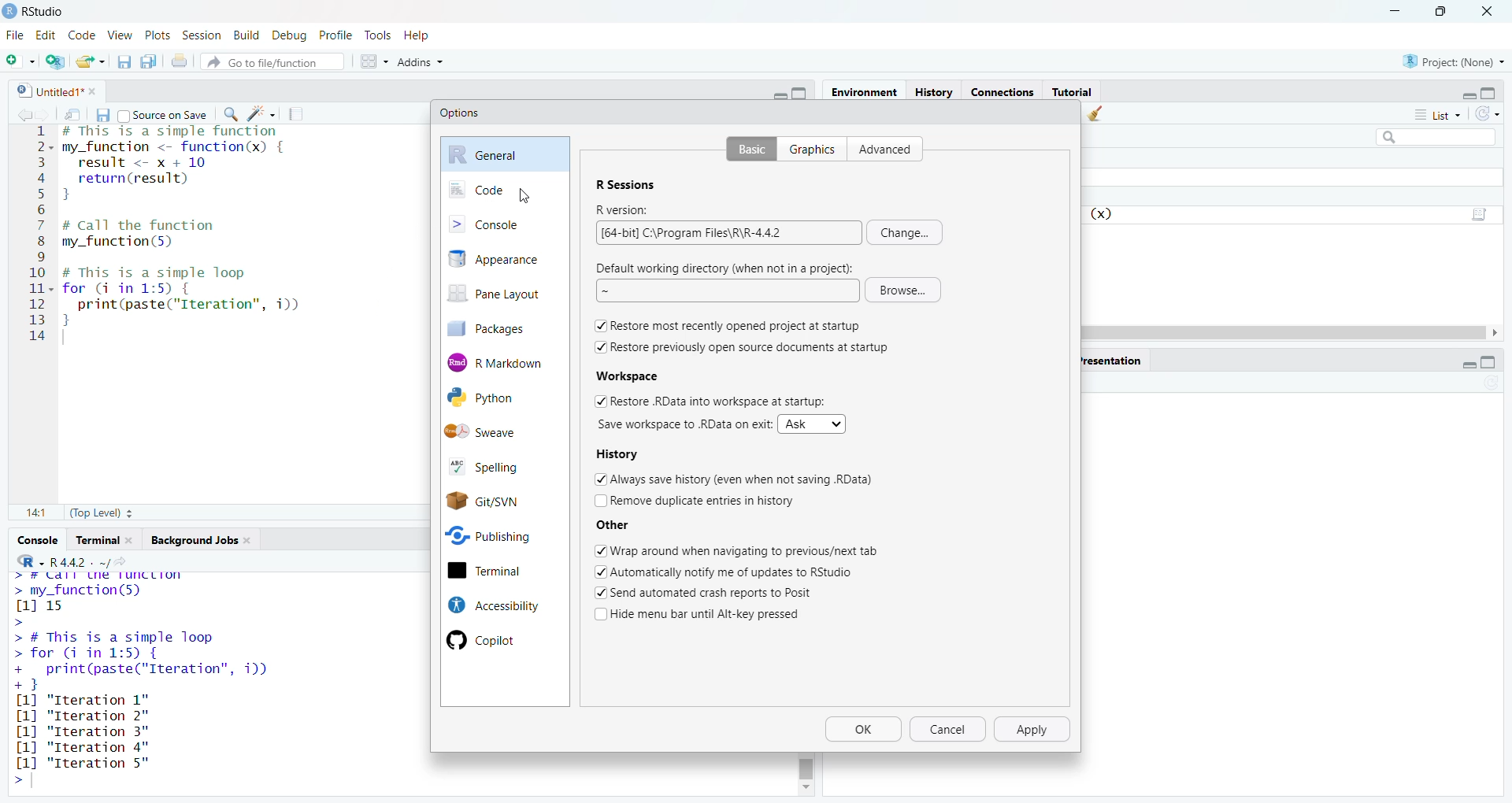  I want to click on Always save history (even when not saving .RData), so click(736, 479).